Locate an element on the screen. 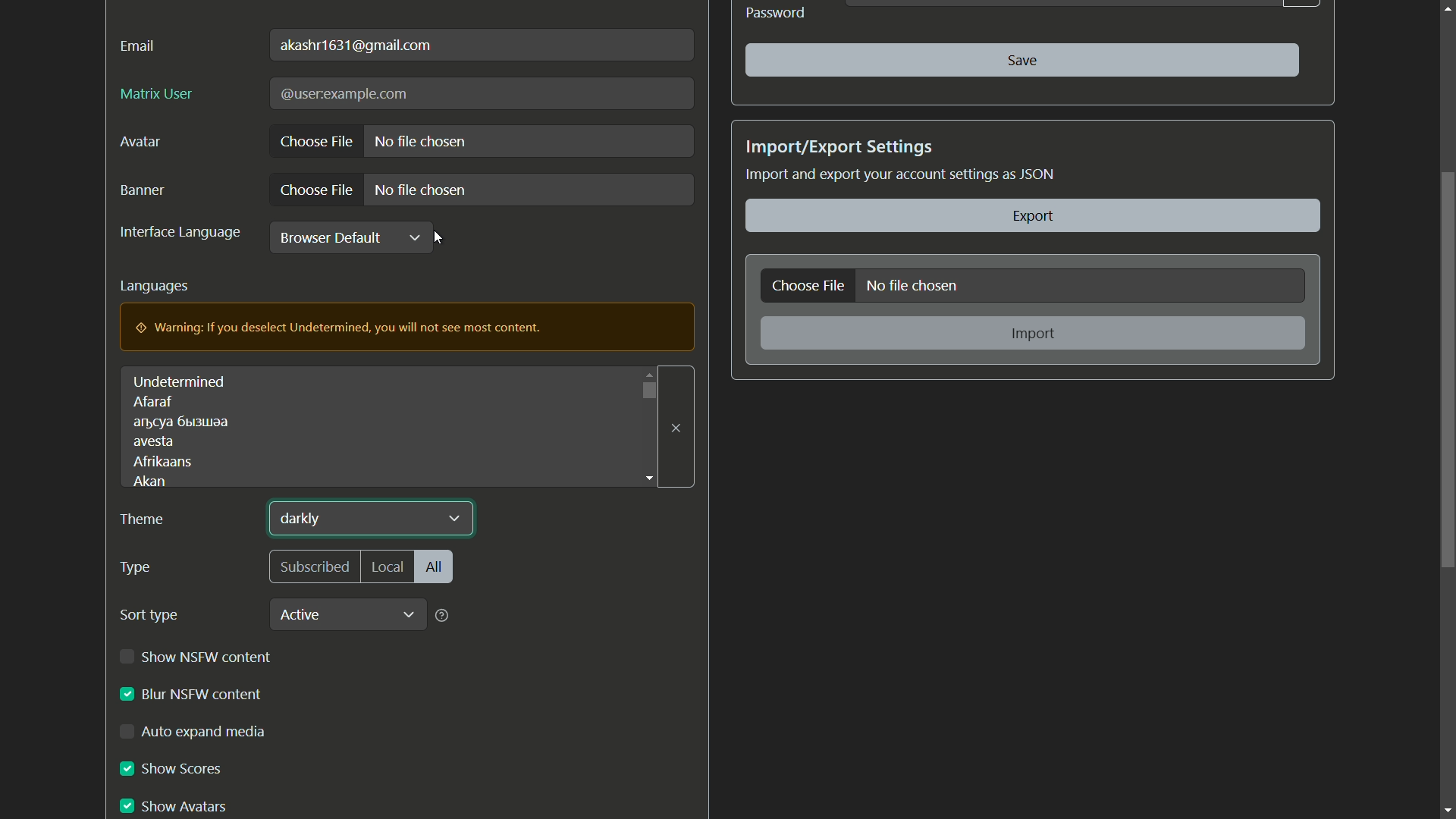  show avatars is located at coordinates (184, 808).